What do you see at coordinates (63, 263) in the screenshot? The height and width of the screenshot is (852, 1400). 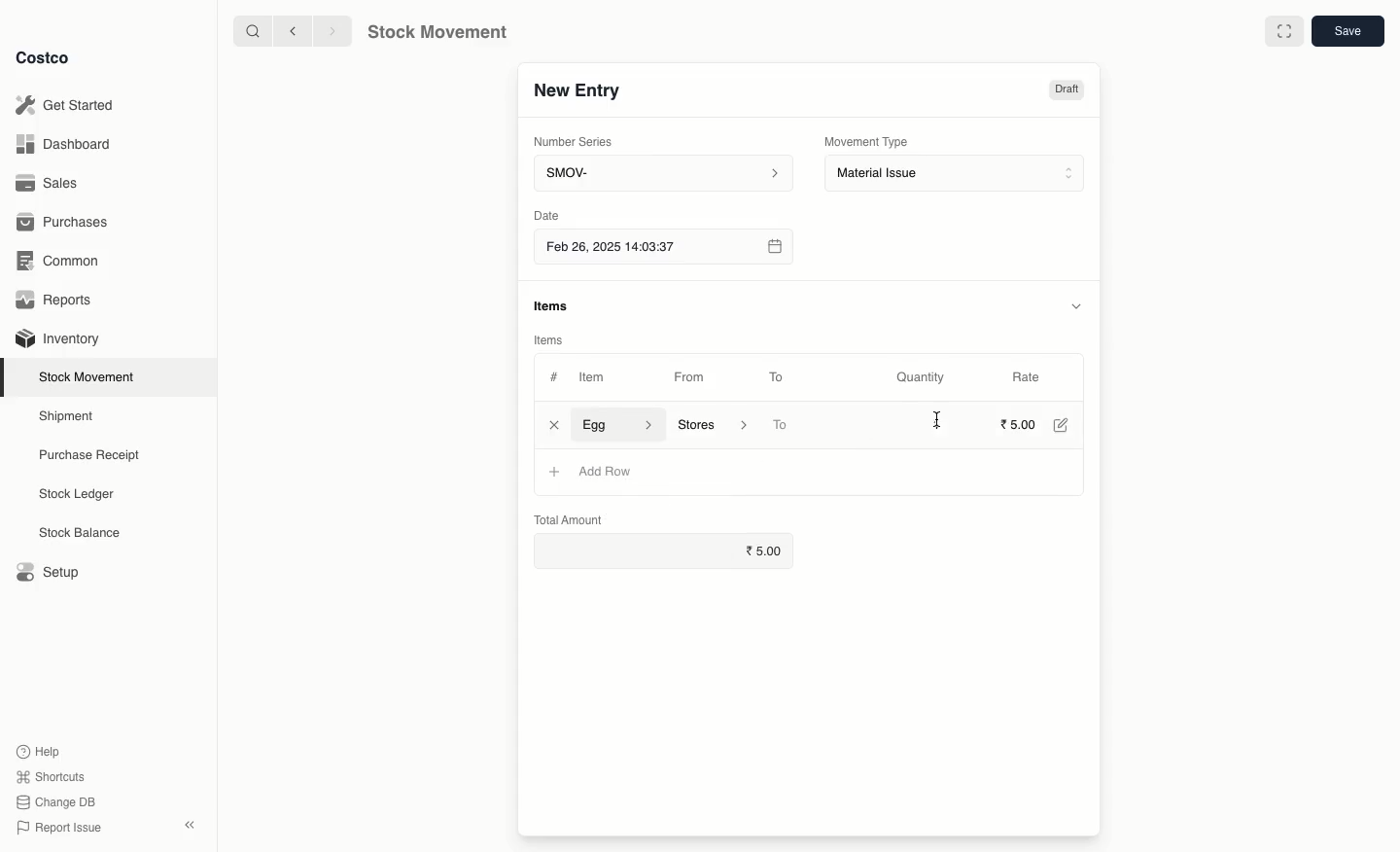 I see `Common` at bounding box center [63, 263].